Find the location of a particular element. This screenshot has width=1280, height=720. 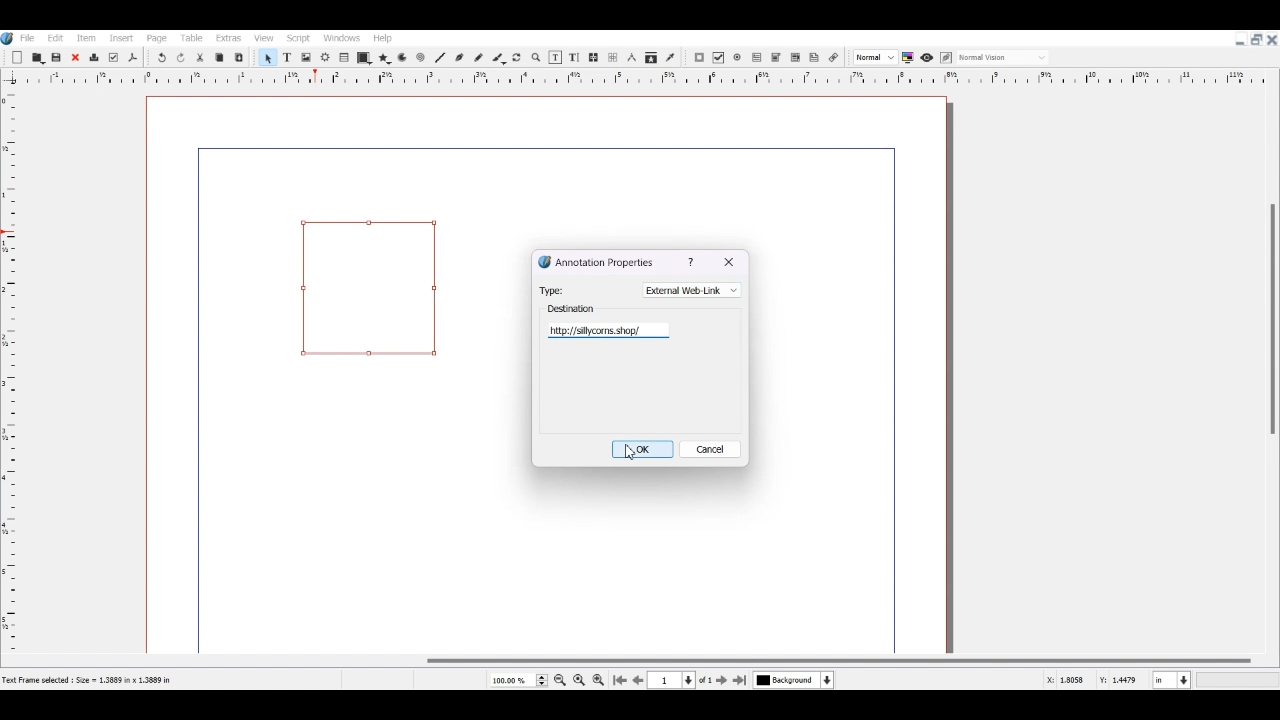

Edit content of frame is located at coordinates (555, 57).